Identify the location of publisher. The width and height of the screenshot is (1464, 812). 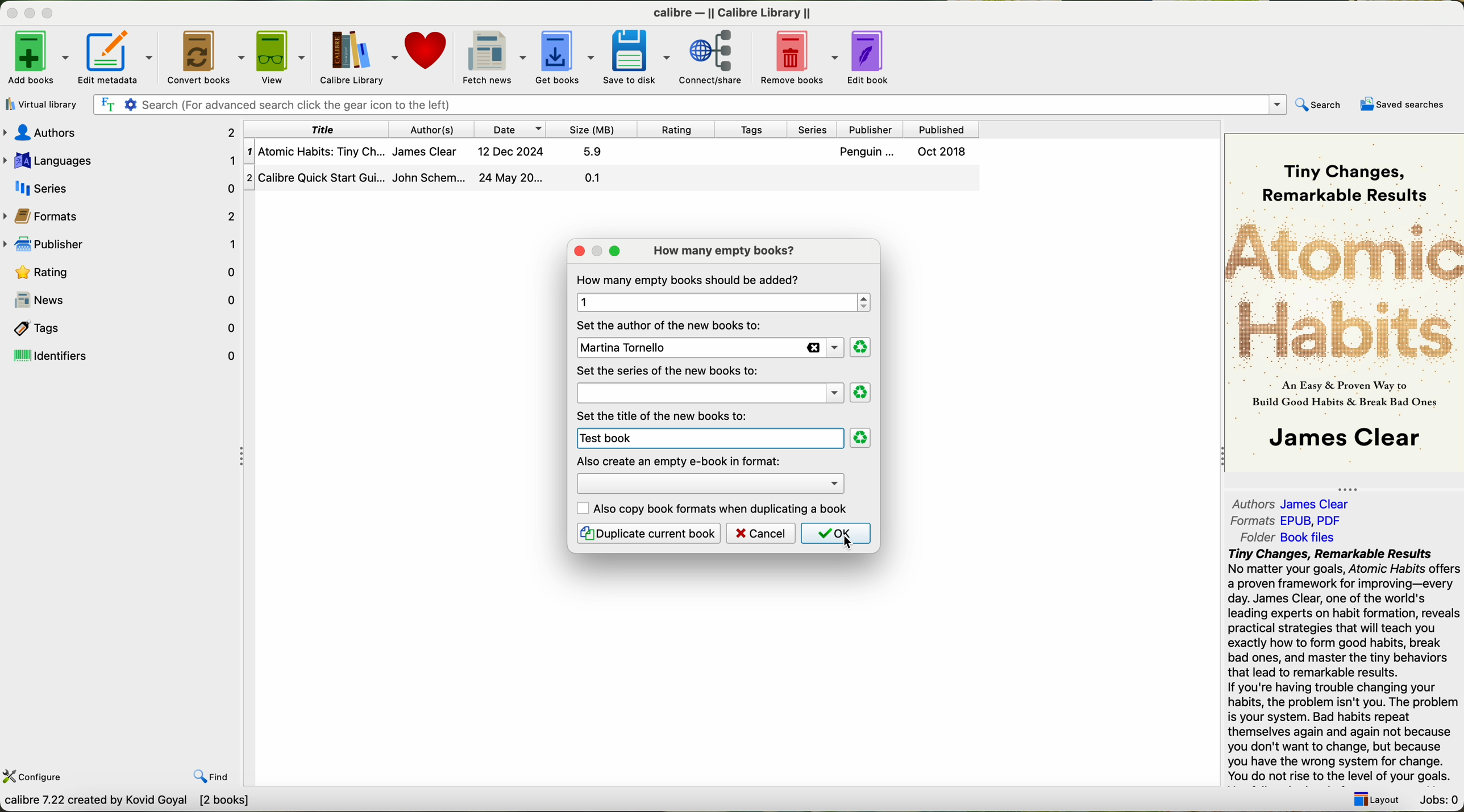
(121, 242).